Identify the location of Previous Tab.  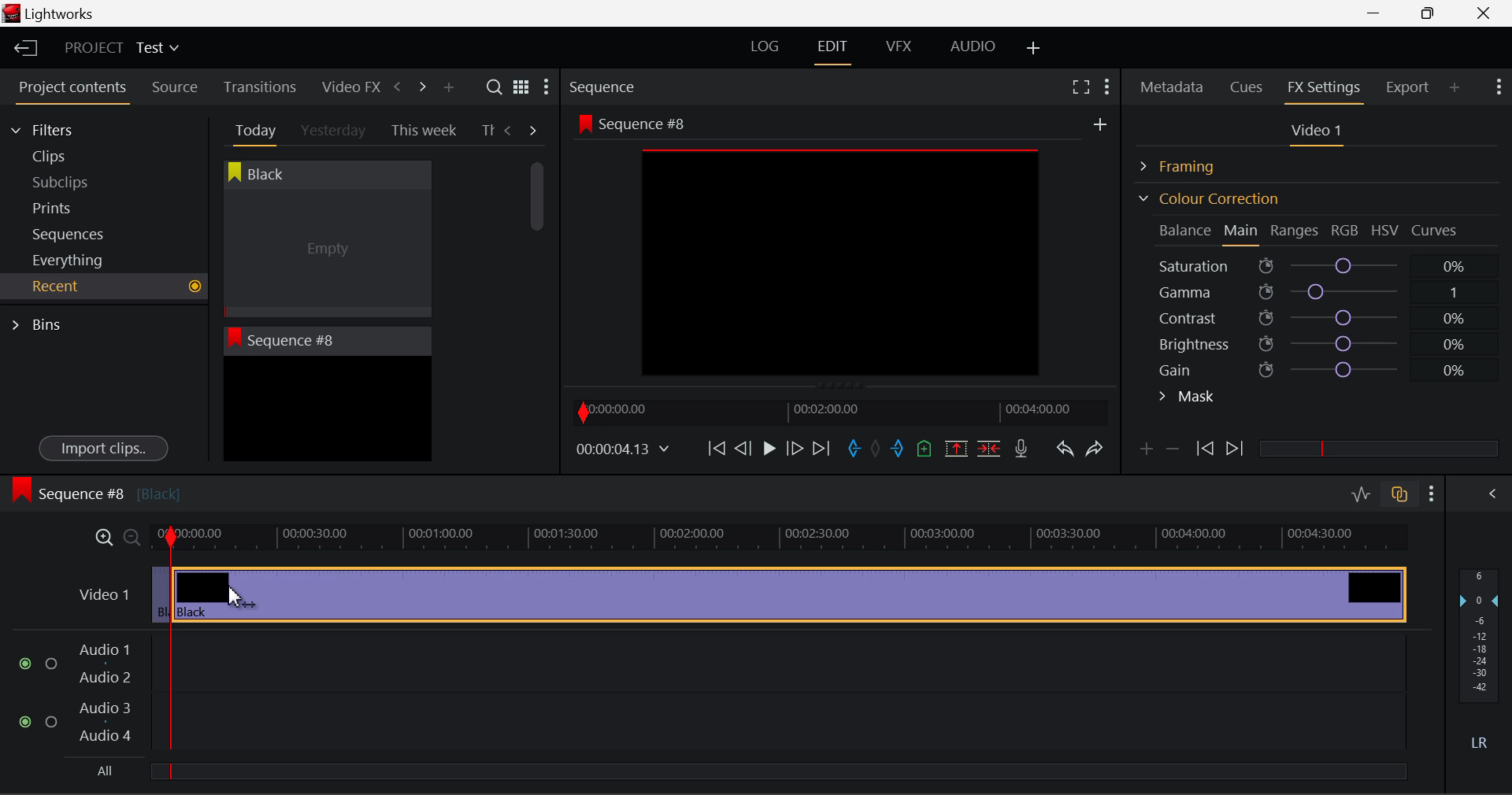
(510, 130).